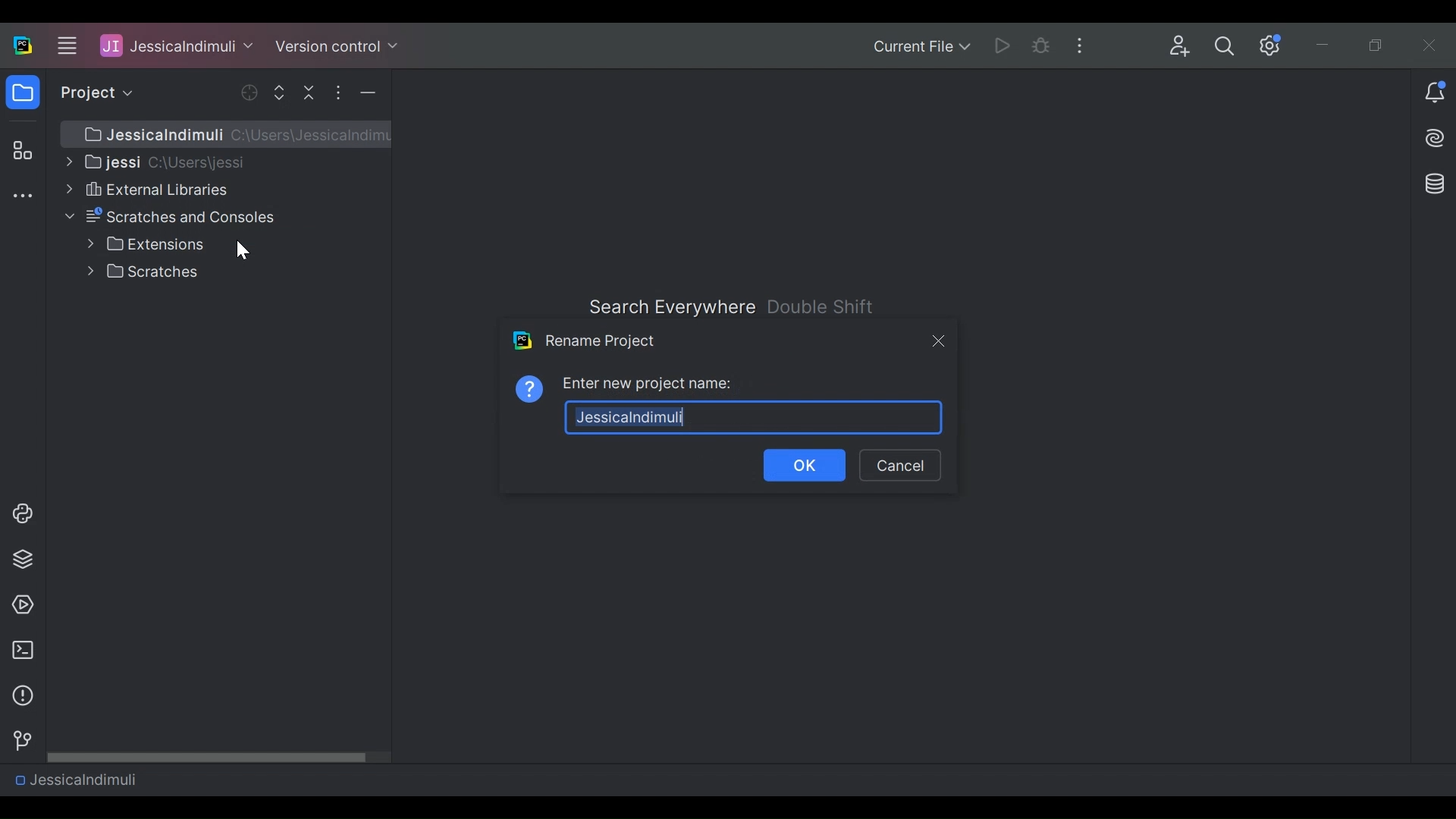  Describe the element at coordinates (64, 45) in the screenshot. I see `Main  menu` at that location.